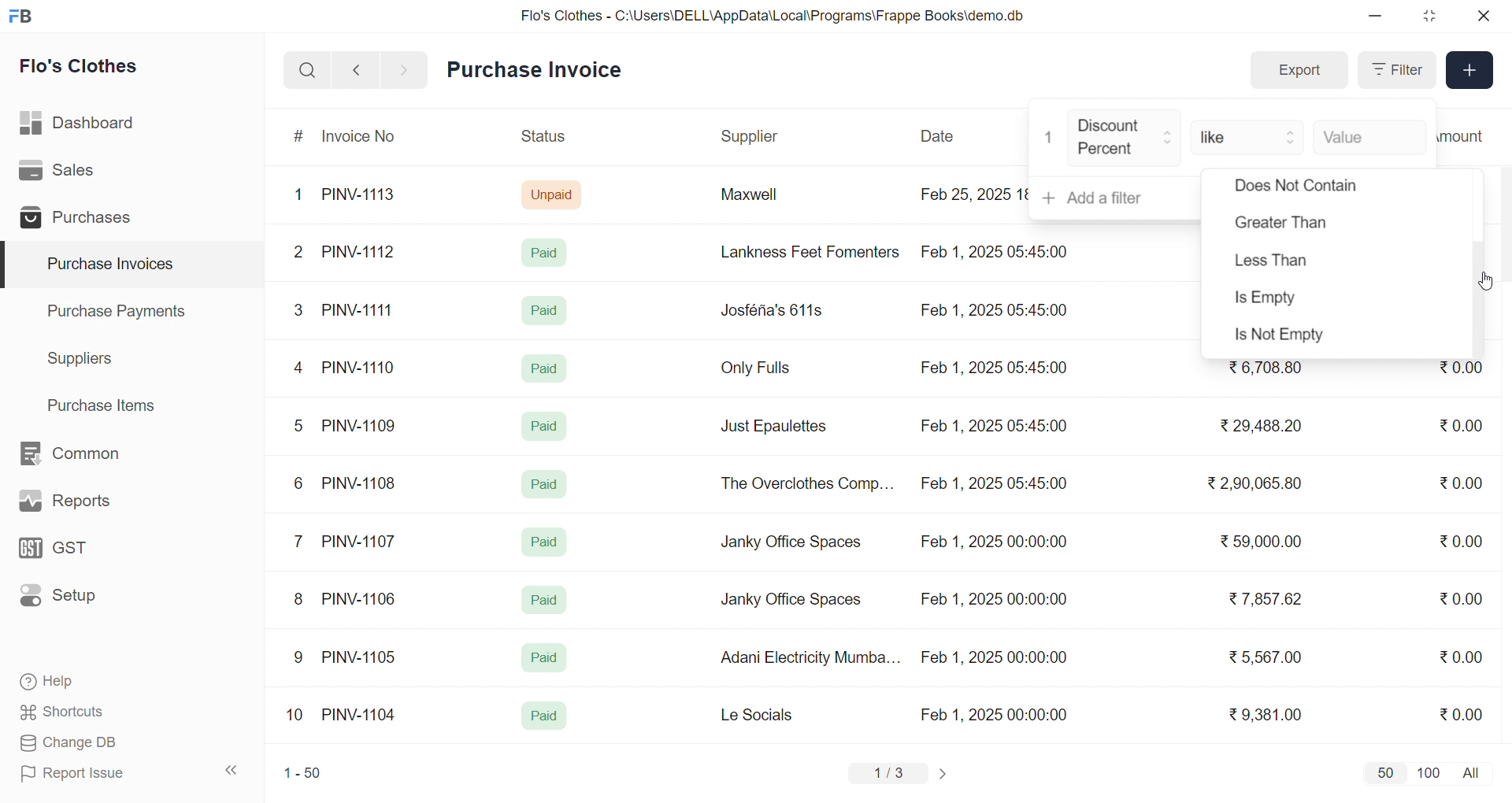 This screenshot has width=1512, height=803. What do you see at coordinates (1284, 261) in the screenshot?
I see `Less Than` at bounding box center [1284, 261].